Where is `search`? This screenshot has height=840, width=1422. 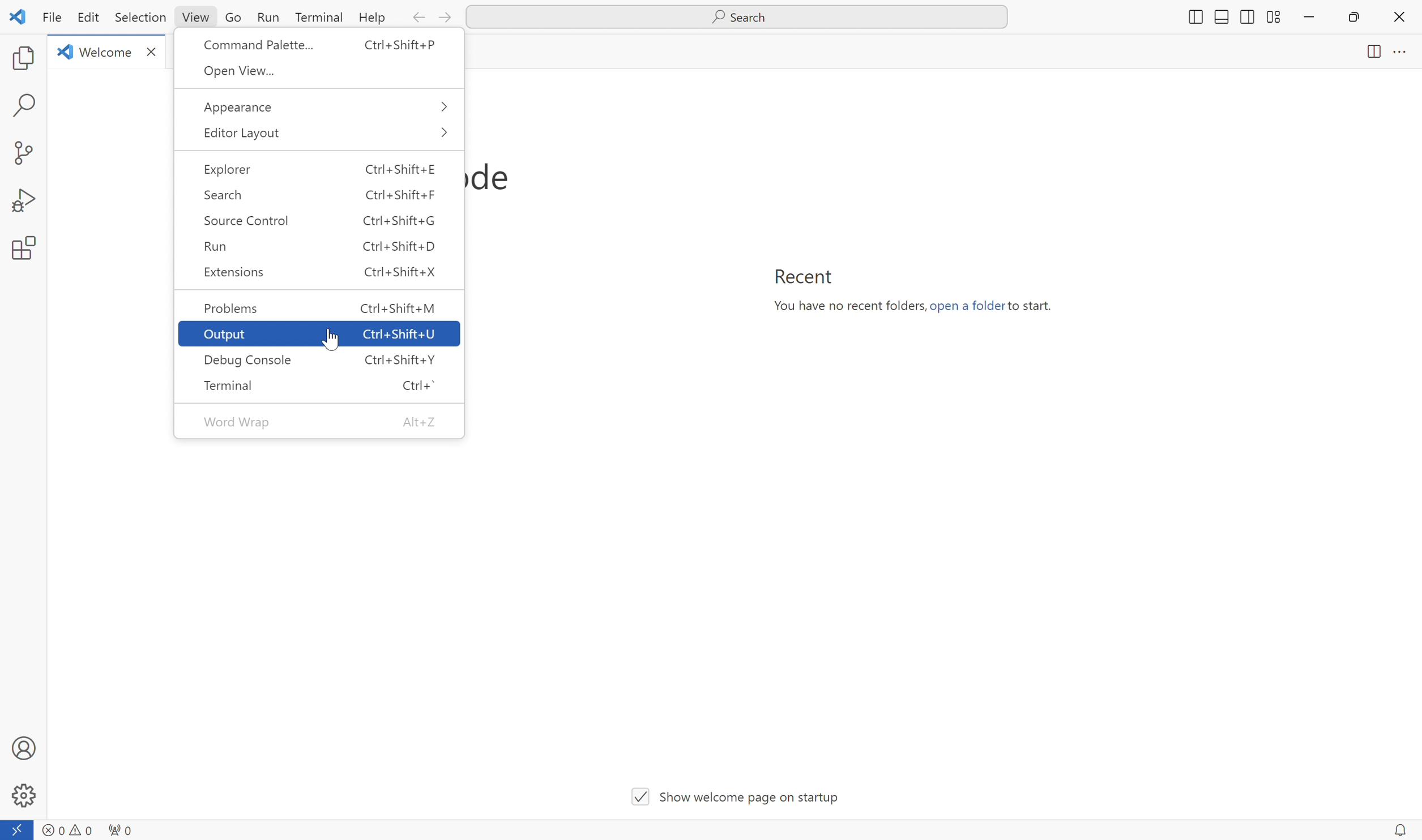 search is located at coordinates (318, 195).